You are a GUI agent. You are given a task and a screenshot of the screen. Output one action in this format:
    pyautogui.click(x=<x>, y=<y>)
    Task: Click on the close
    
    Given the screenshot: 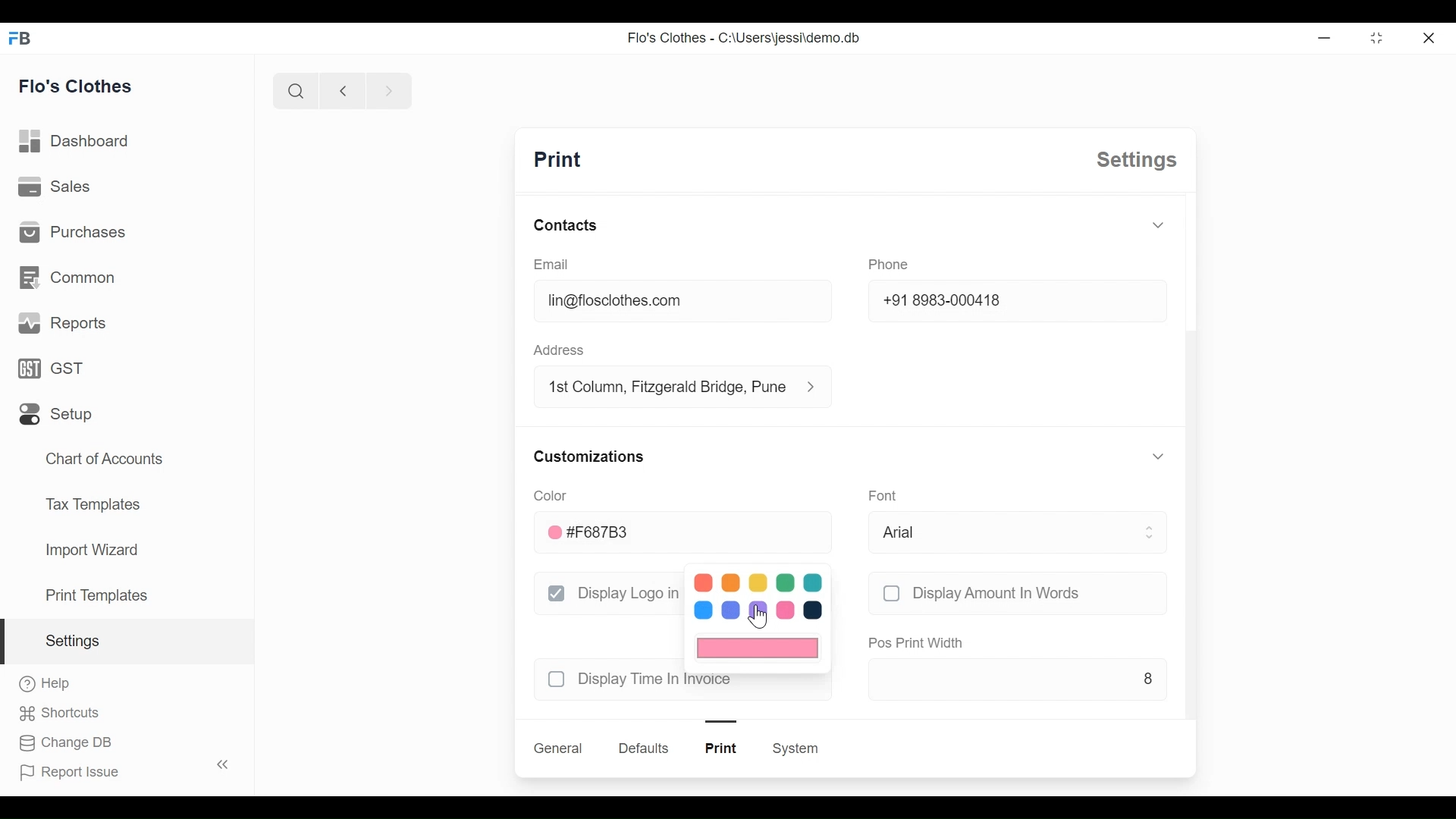 What is the action you would take?
    pyautogui.click(x=1428, y=37)
    